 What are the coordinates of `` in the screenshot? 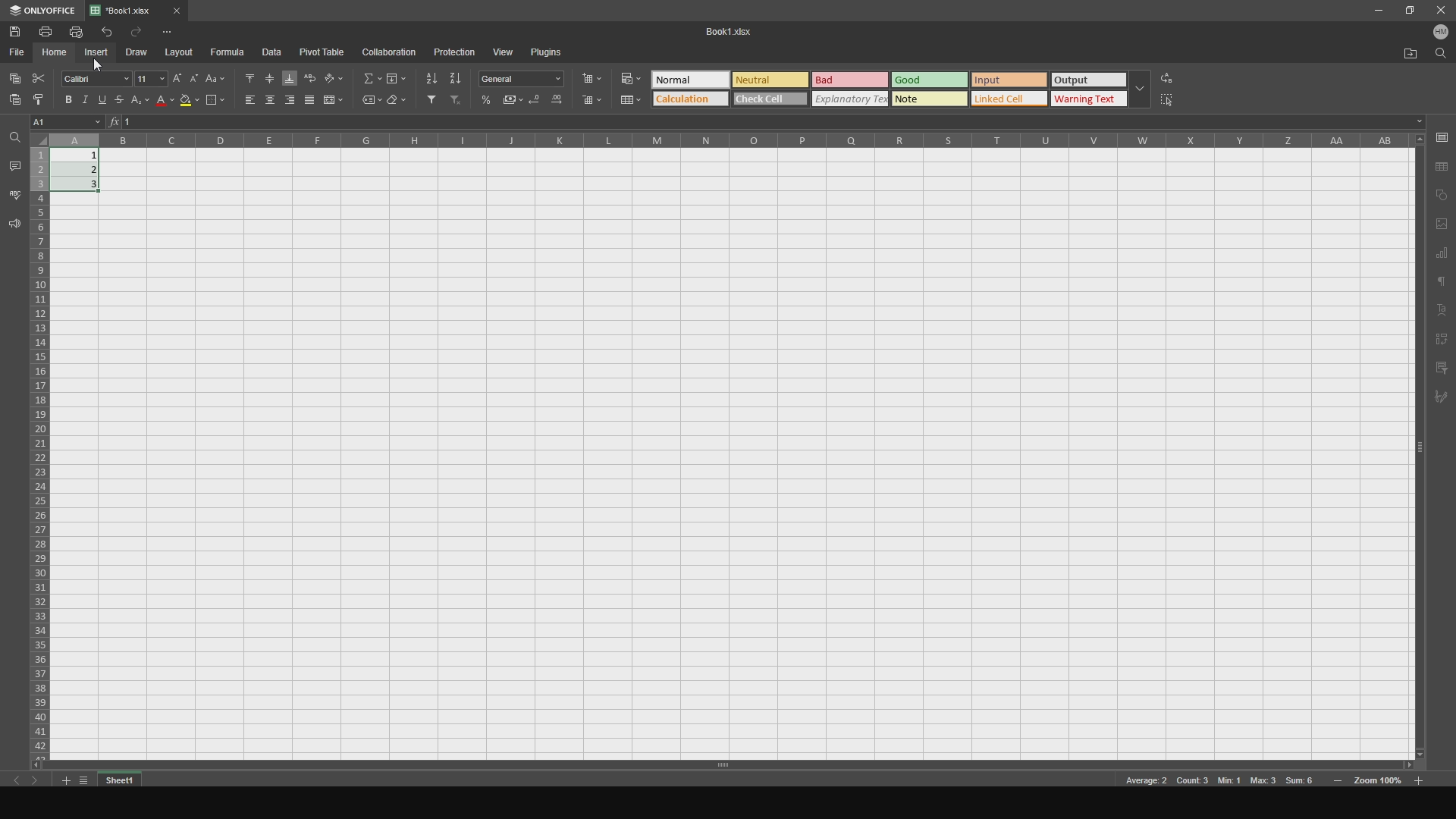 It's located at (143, 103).